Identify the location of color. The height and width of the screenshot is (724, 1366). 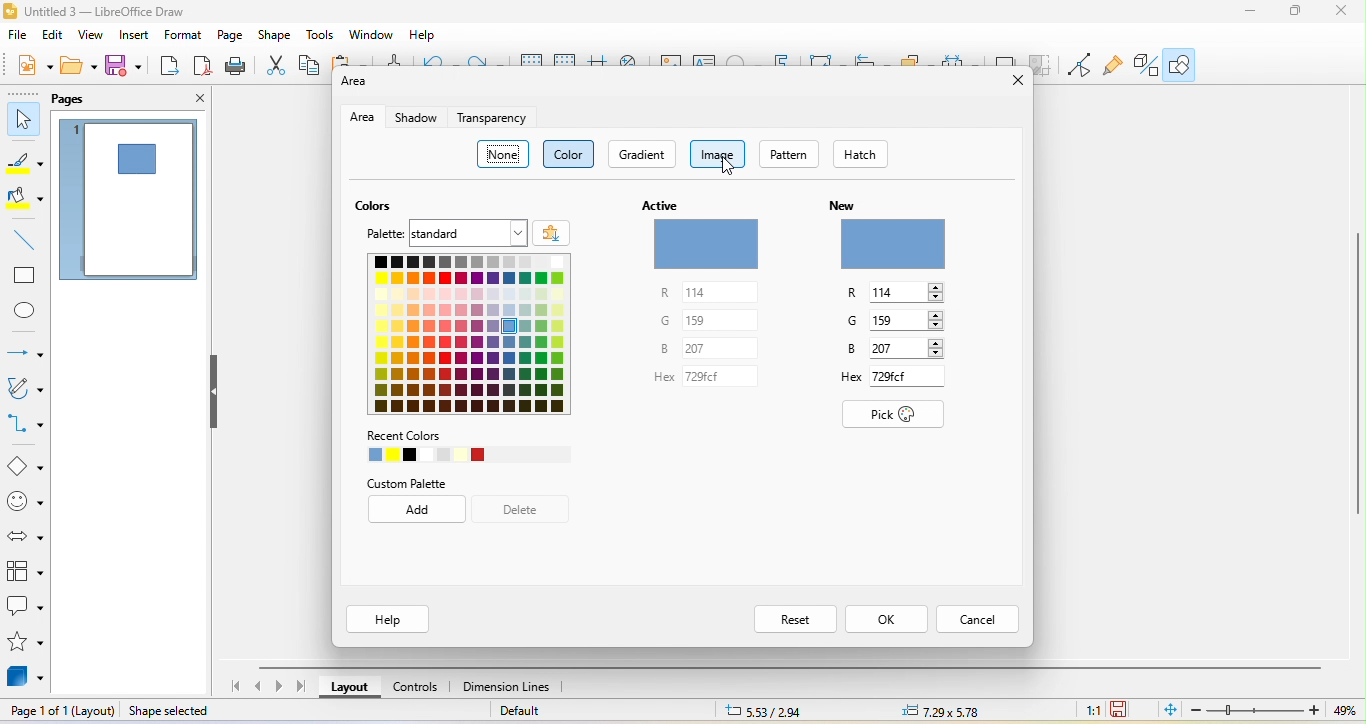
(569, 154).